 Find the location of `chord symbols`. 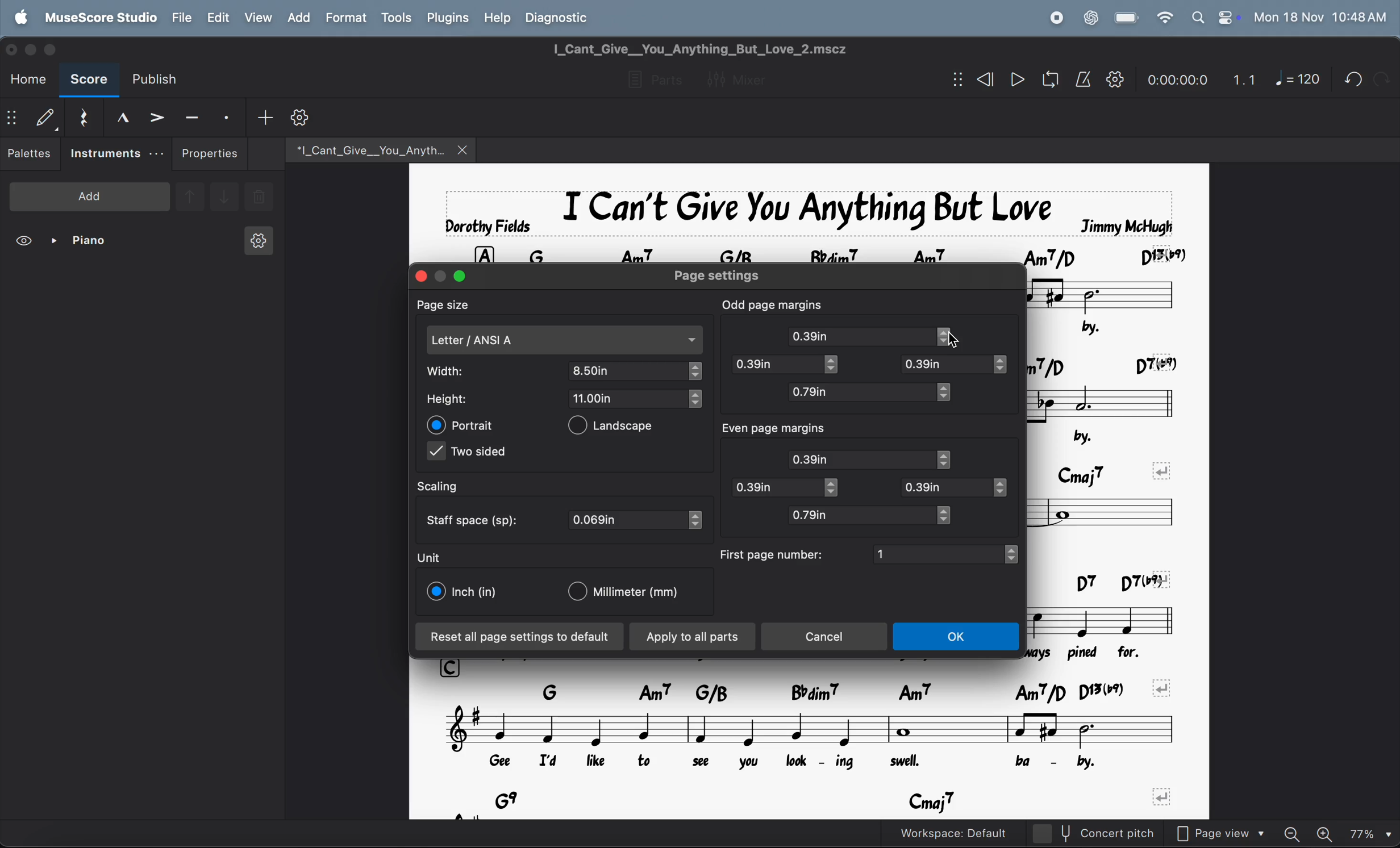

chord symbols is located at coordinates (1113, 470).